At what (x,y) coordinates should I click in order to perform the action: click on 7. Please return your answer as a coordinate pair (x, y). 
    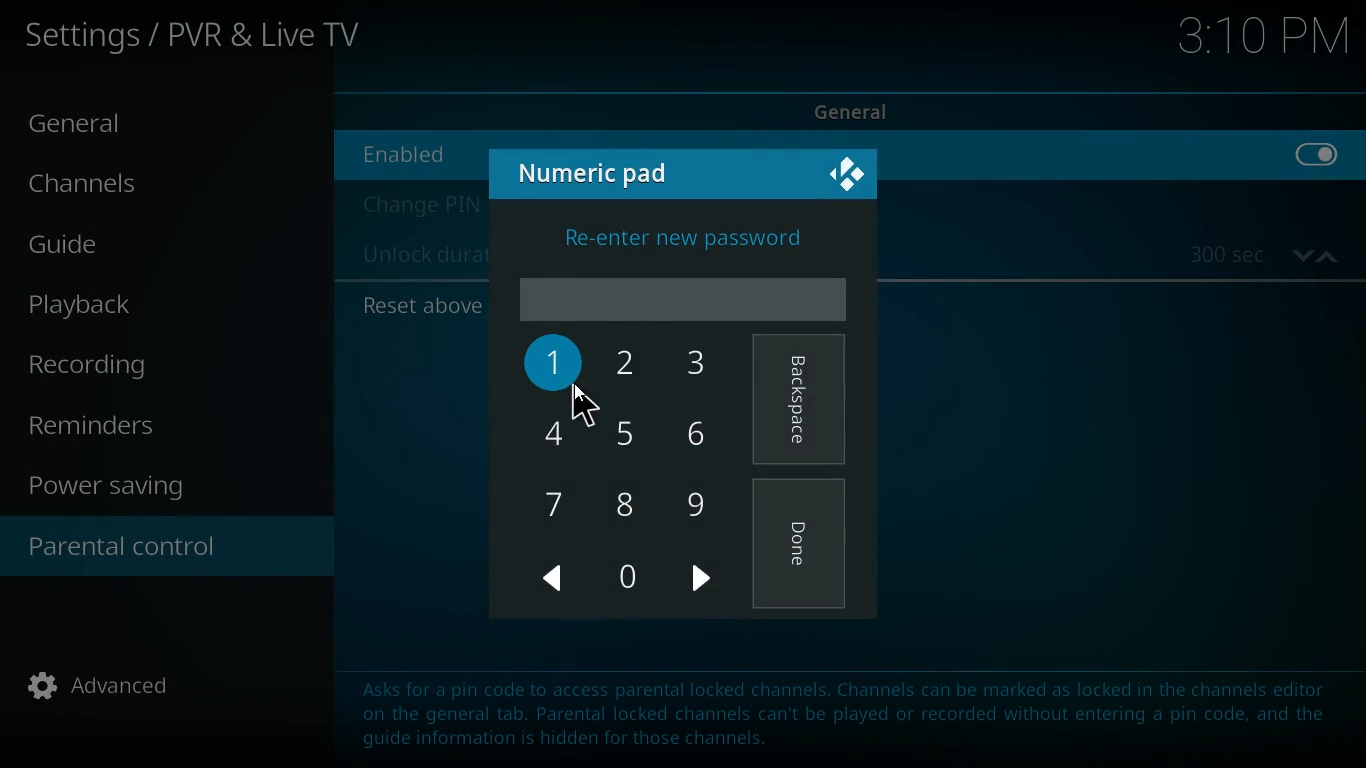
    Looking at the image, I should click on (559, 504).